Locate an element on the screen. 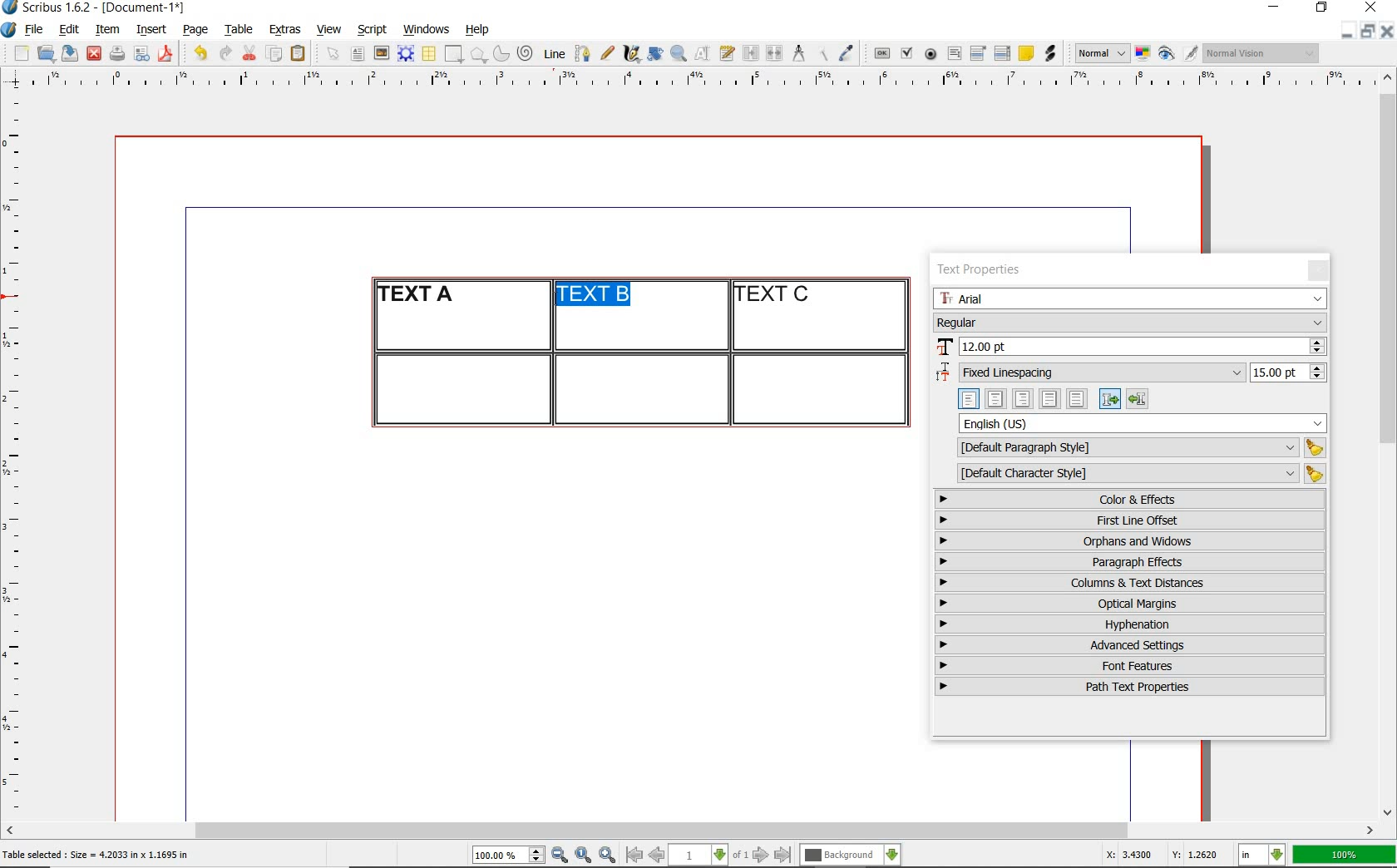 Image resolution: width=1397 pixels, height=868 pixels. orphans & windows is located at coordinates (1128, 542).